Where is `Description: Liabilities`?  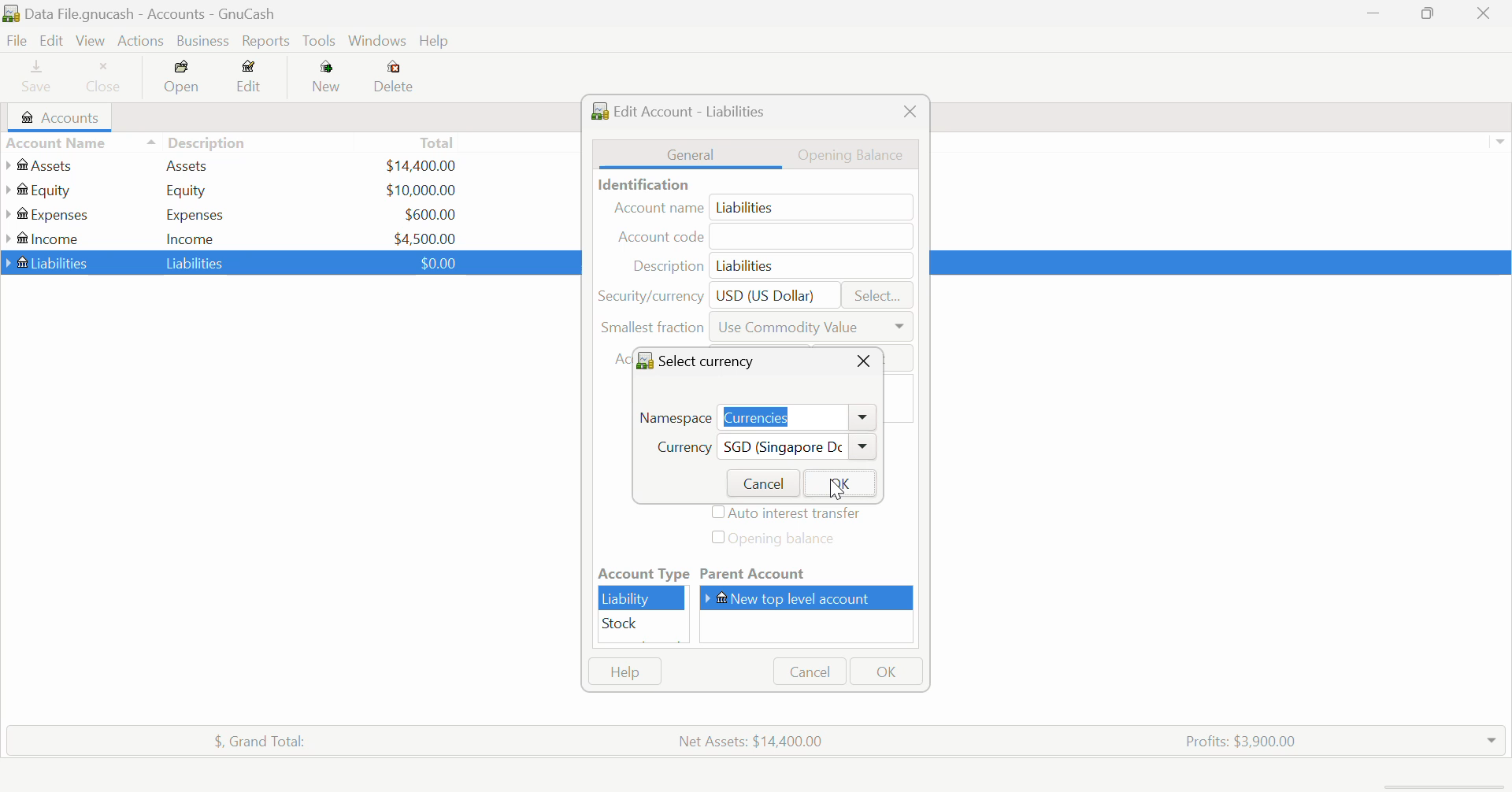
Description: Liabilities is located at coordinates (766, 265).